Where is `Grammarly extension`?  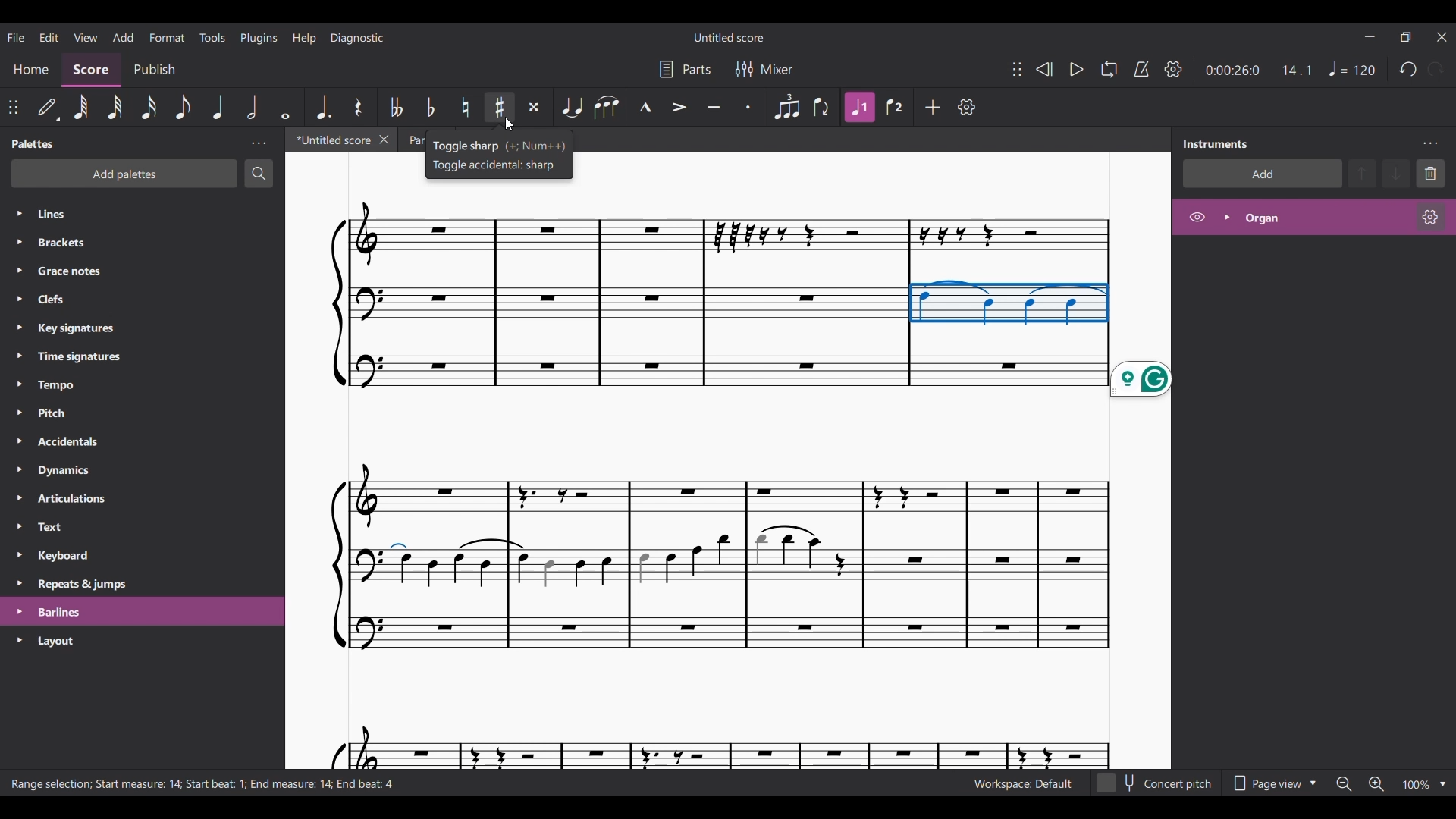
Grammarly extension is located at coordinates (1141, 379).